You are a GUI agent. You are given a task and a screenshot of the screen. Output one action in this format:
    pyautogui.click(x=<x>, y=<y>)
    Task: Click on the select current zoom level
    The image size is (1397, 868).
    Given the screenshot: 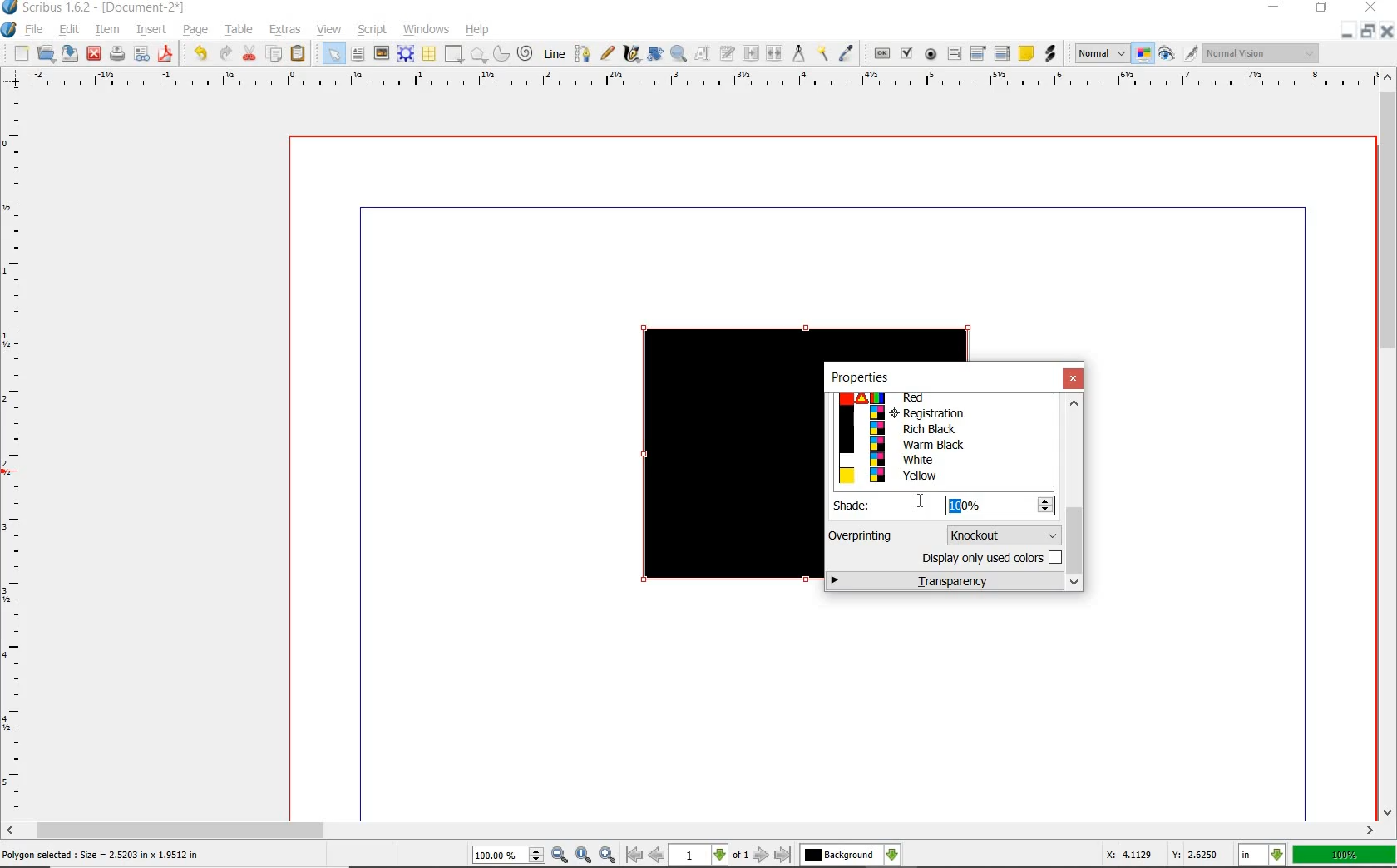 What is the action you would take?
    pyautogui.click(x=508, y=856)
    